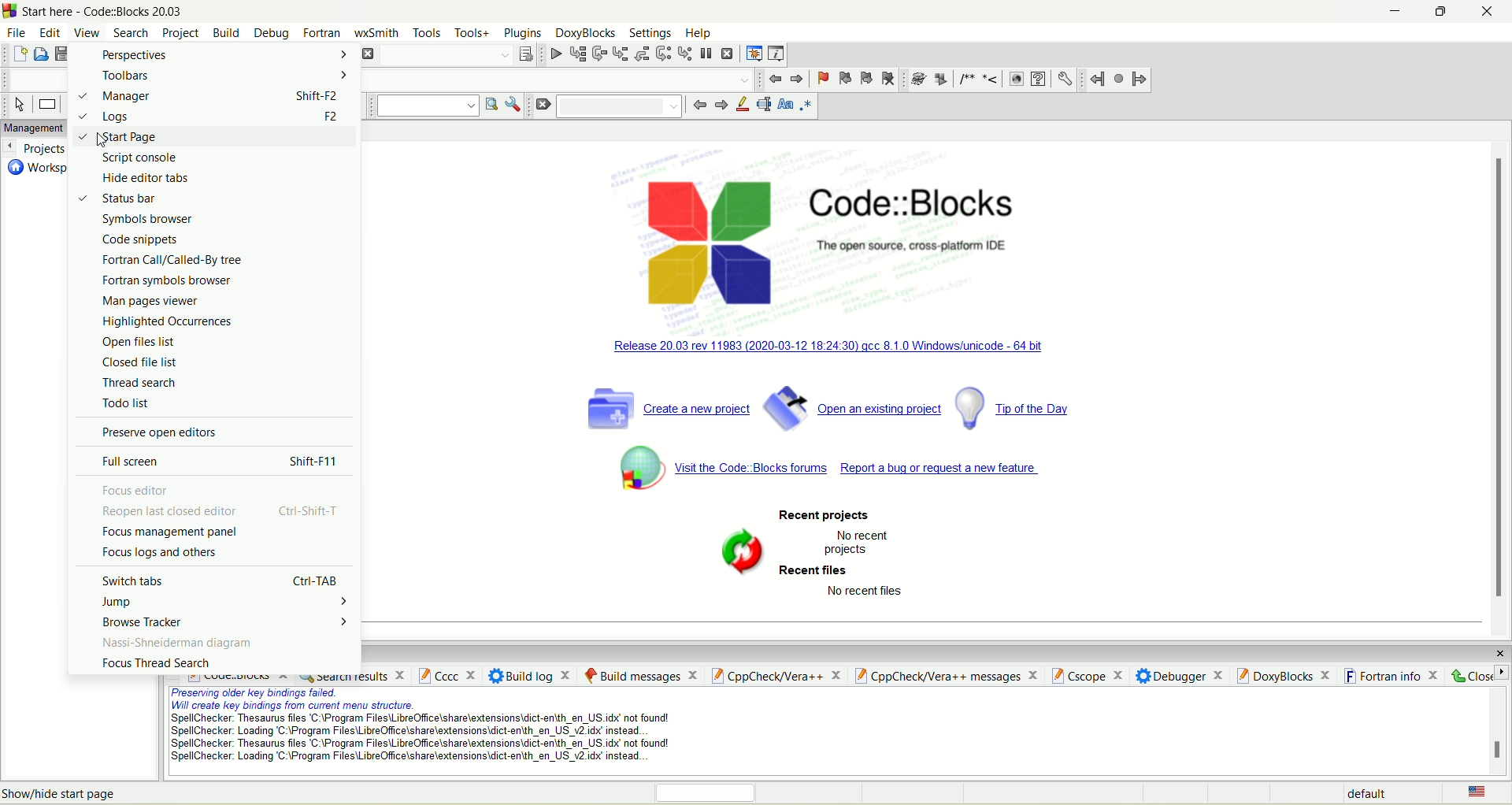 The image size is (1512, 805). What do you see at coordinates (121, 199) in the screenshot?
I see `status bar` at bounding box center [121, 199].